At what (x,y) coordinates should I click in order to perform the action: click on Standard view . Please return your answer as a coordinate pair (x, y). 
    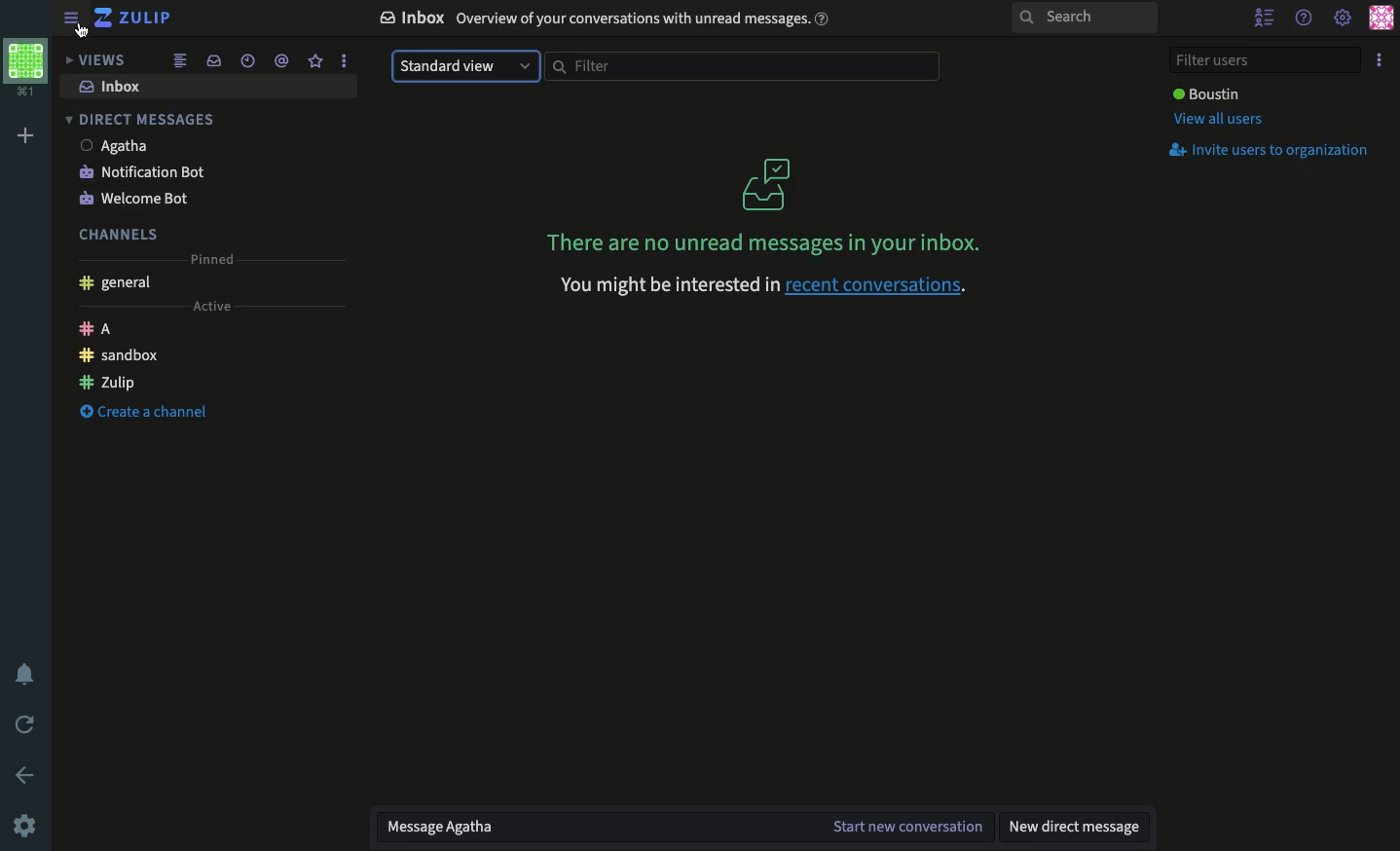
    Looking at the image, I should click on (464, 66).